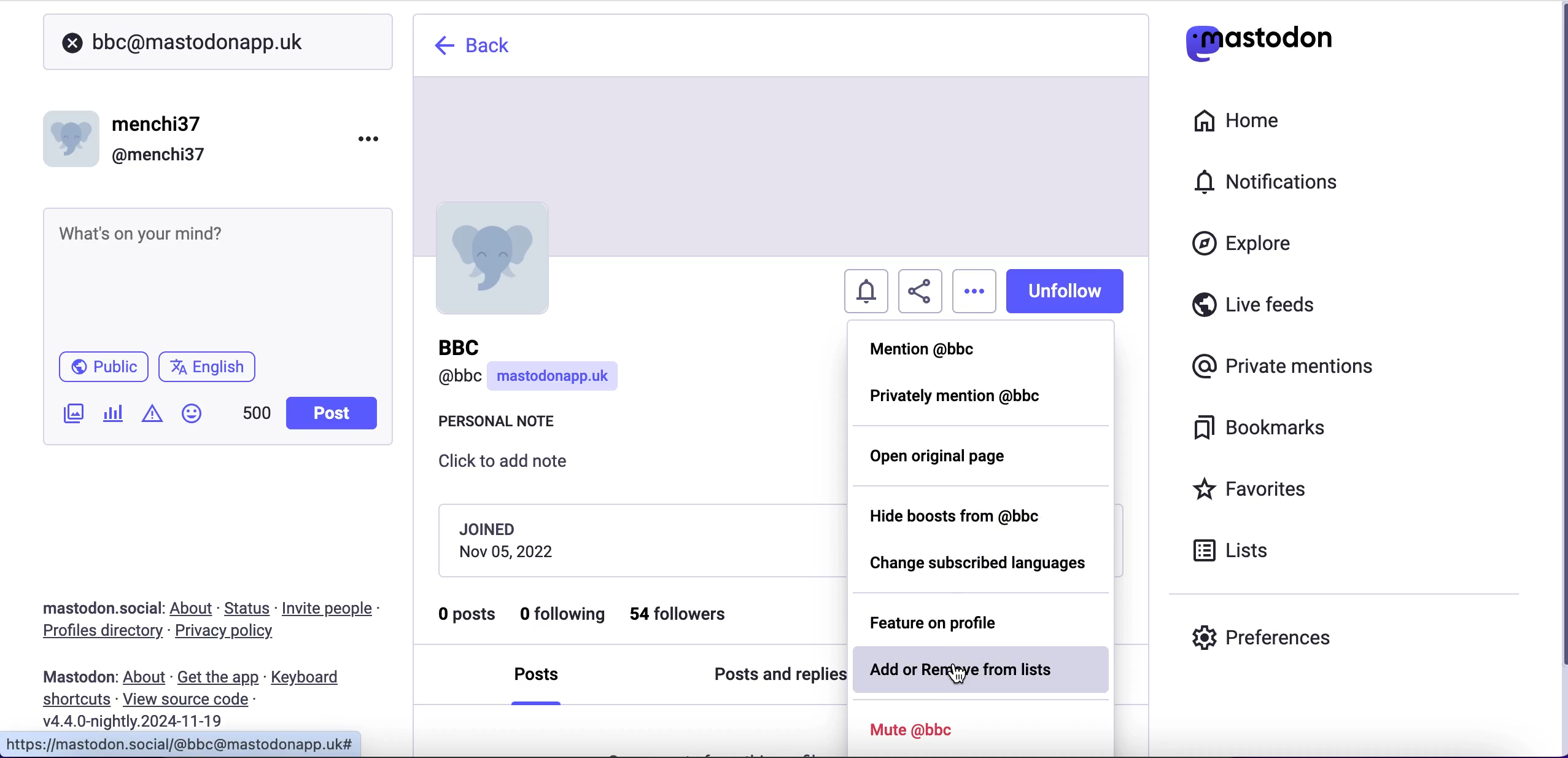 The image size is (1568, 758). I want to click on add or remove from lists, so click(978, 665).